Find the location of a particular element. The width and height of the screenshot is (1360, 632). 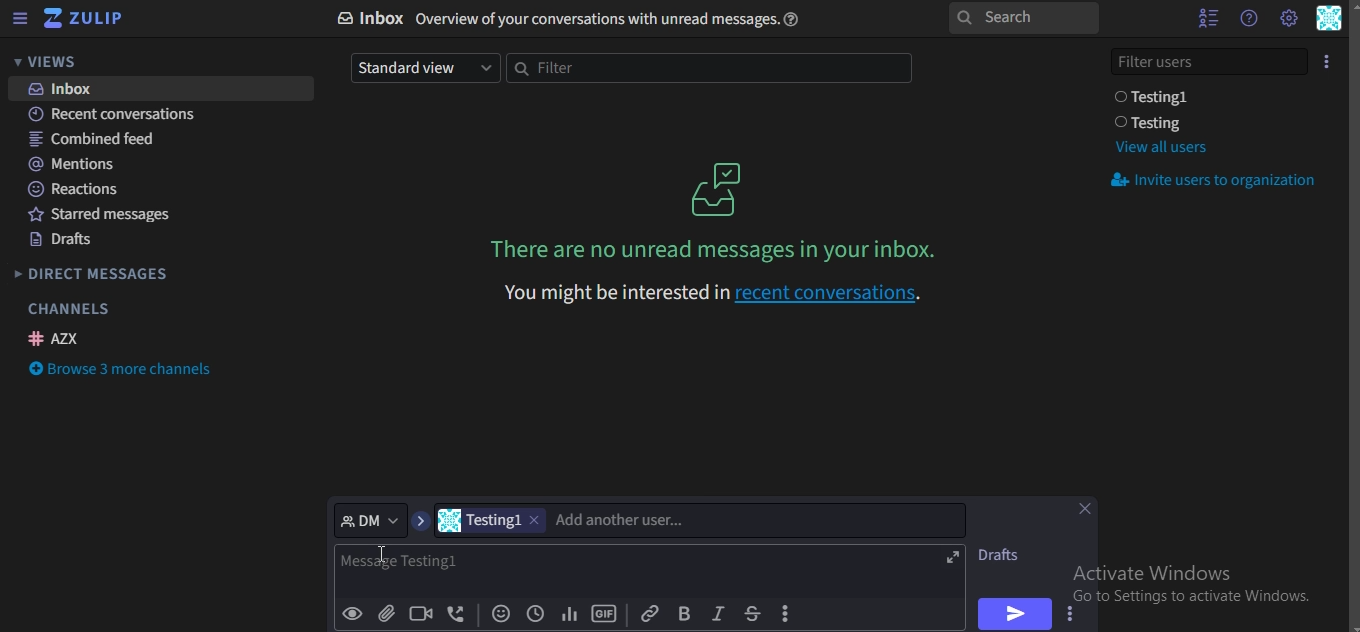

reactions is located at coordinates (76, 189).